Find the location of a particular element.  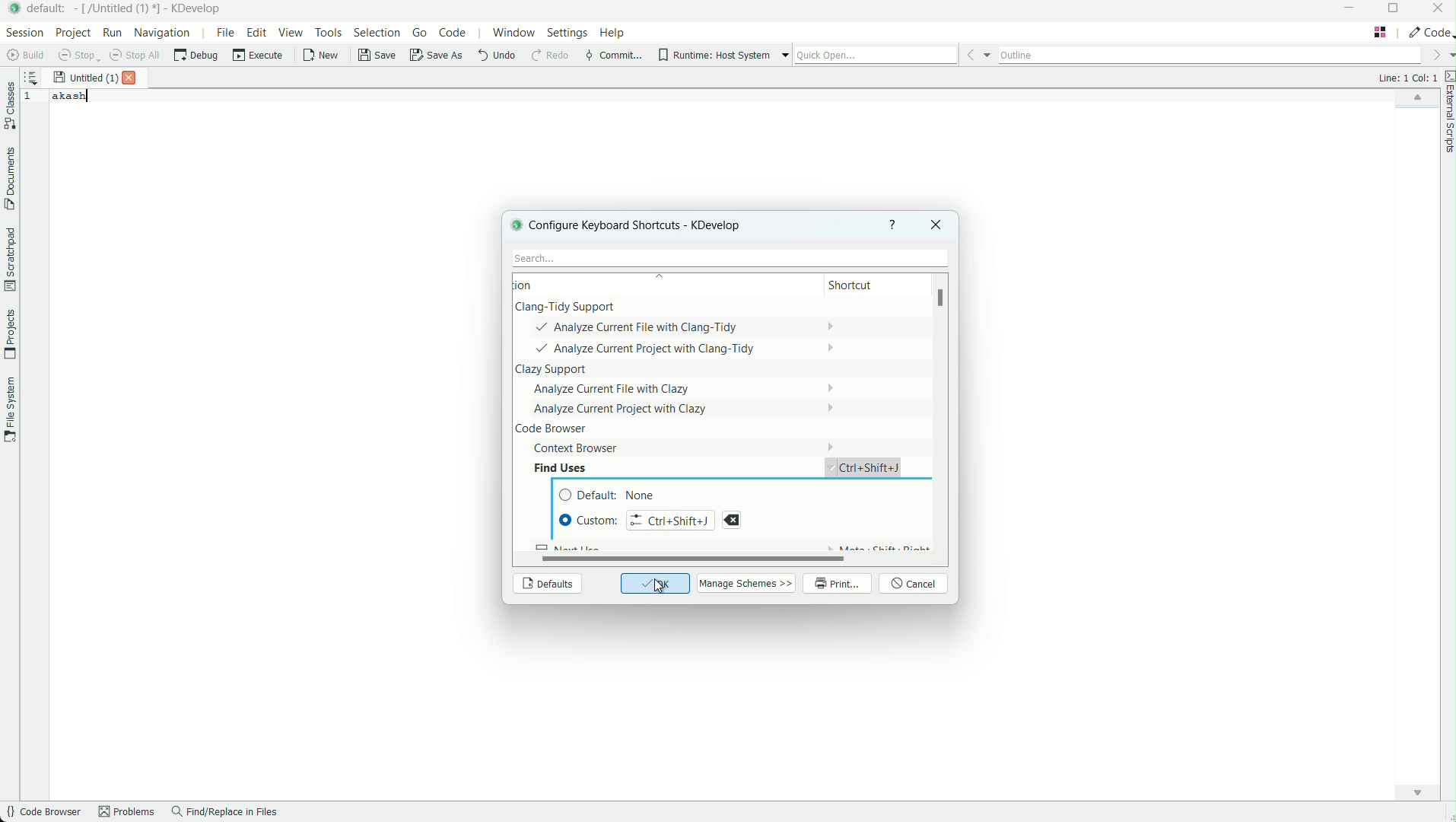

file menu is located at coordinates (224, 32).